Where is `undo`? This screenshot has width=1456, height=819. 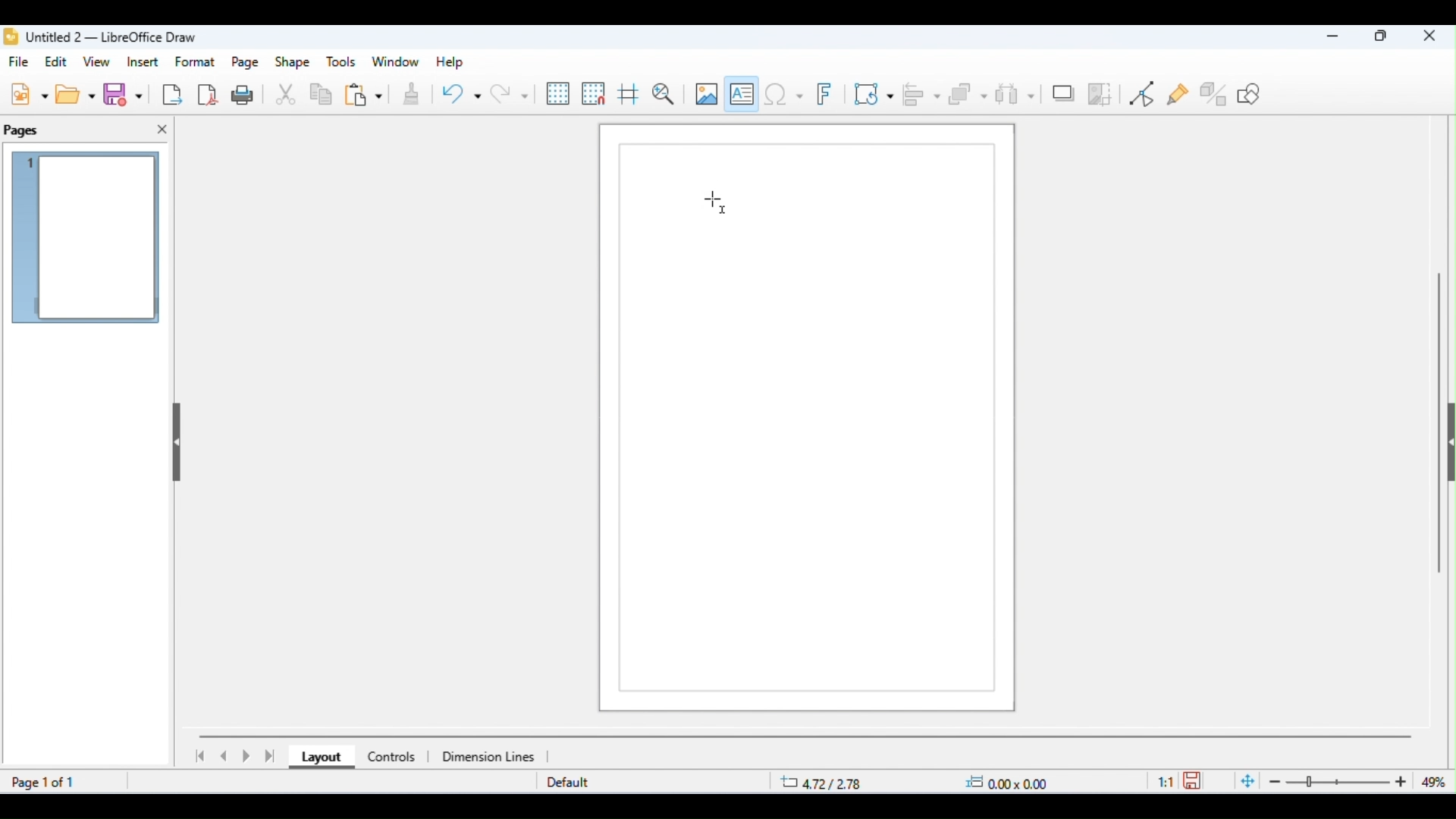
undo is located at coordinates (461, 96).